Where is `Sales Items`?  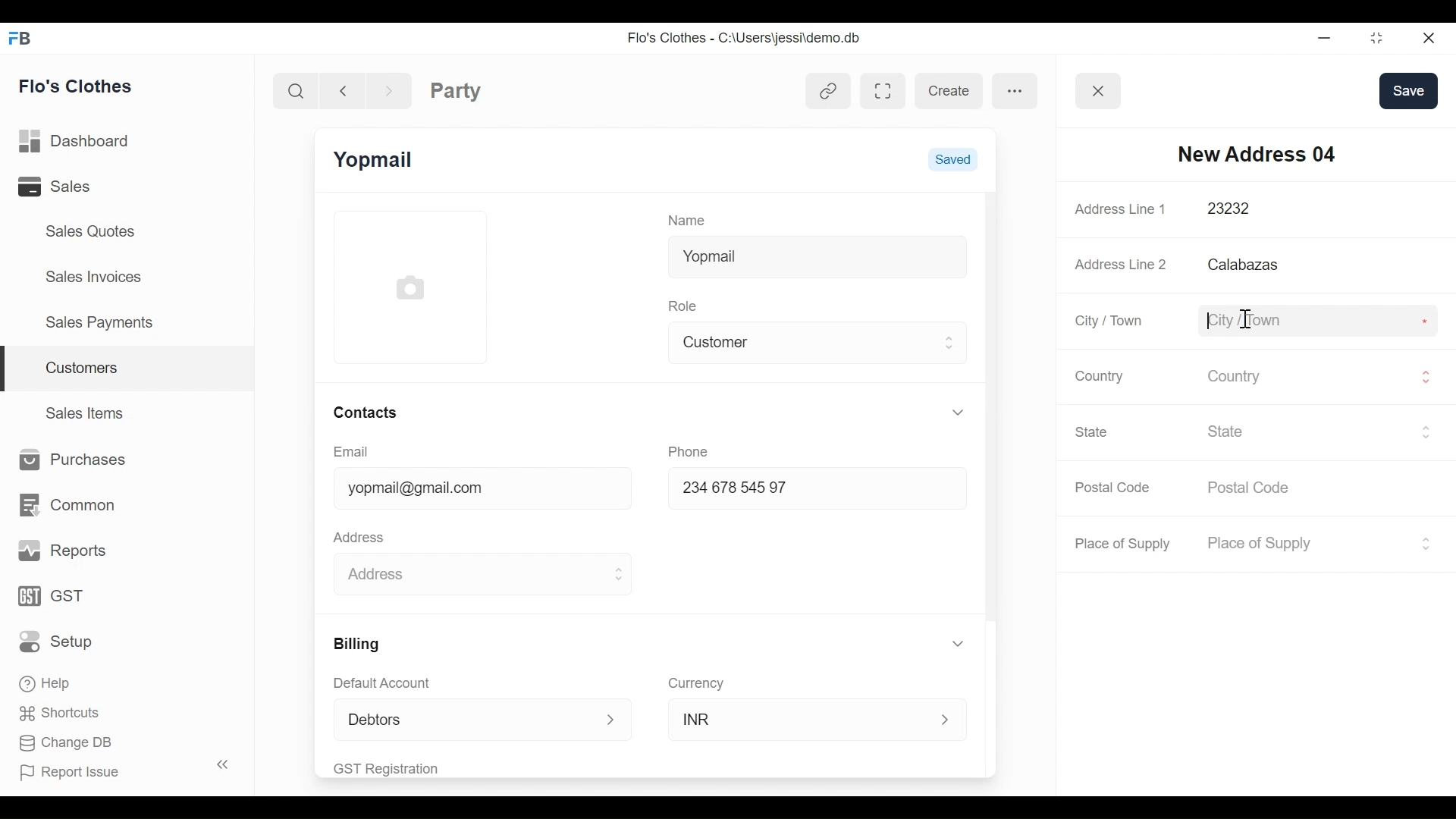 Sales Items is located at coordinates (86, 411).